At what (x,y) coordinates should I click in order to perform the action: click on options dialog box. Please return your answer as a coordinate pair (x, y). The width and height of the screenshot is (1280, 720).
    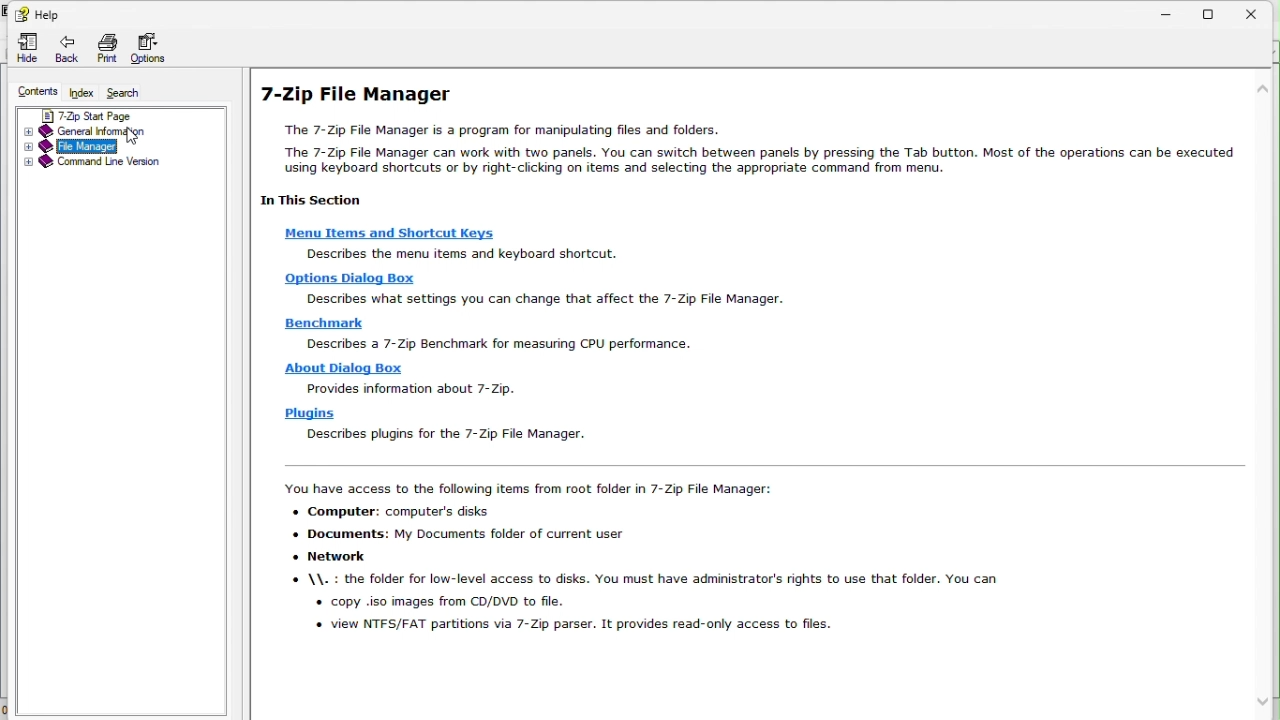
    Looking at the image, I should click on (350, 278).